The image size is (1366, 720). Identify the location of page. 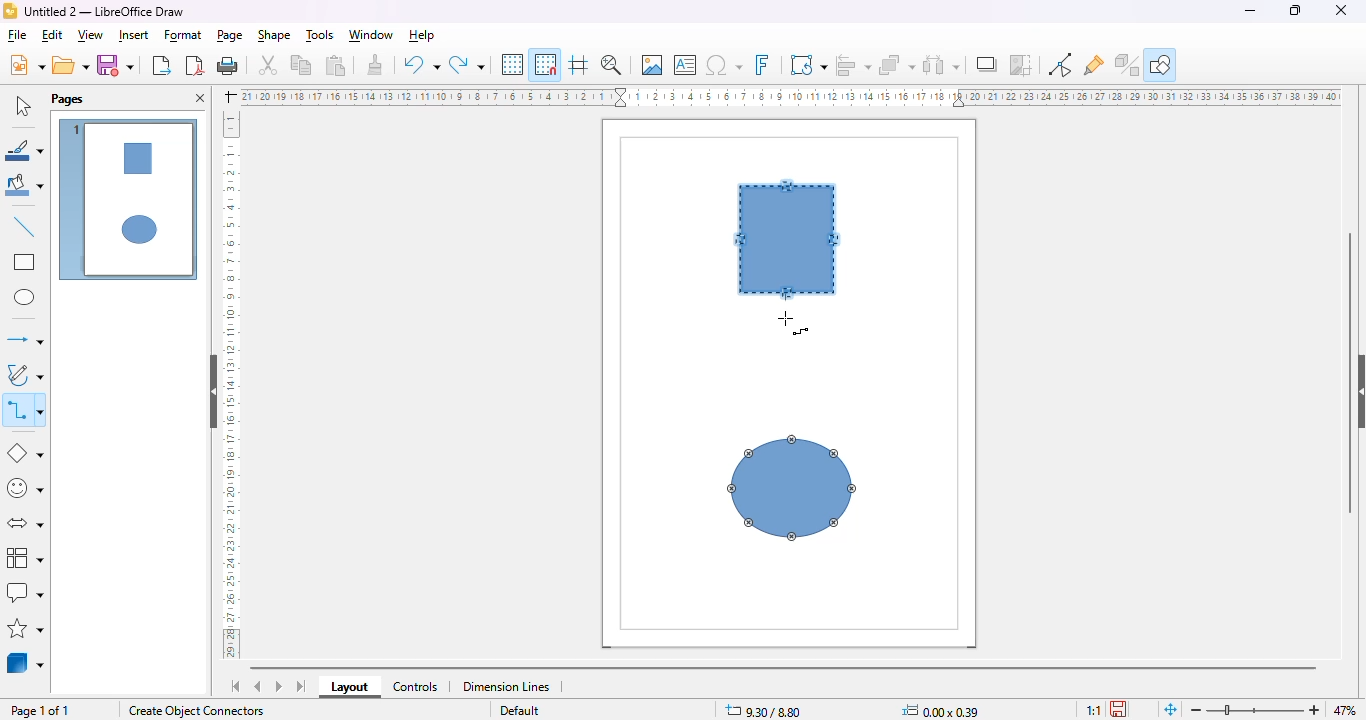
(231, 35).